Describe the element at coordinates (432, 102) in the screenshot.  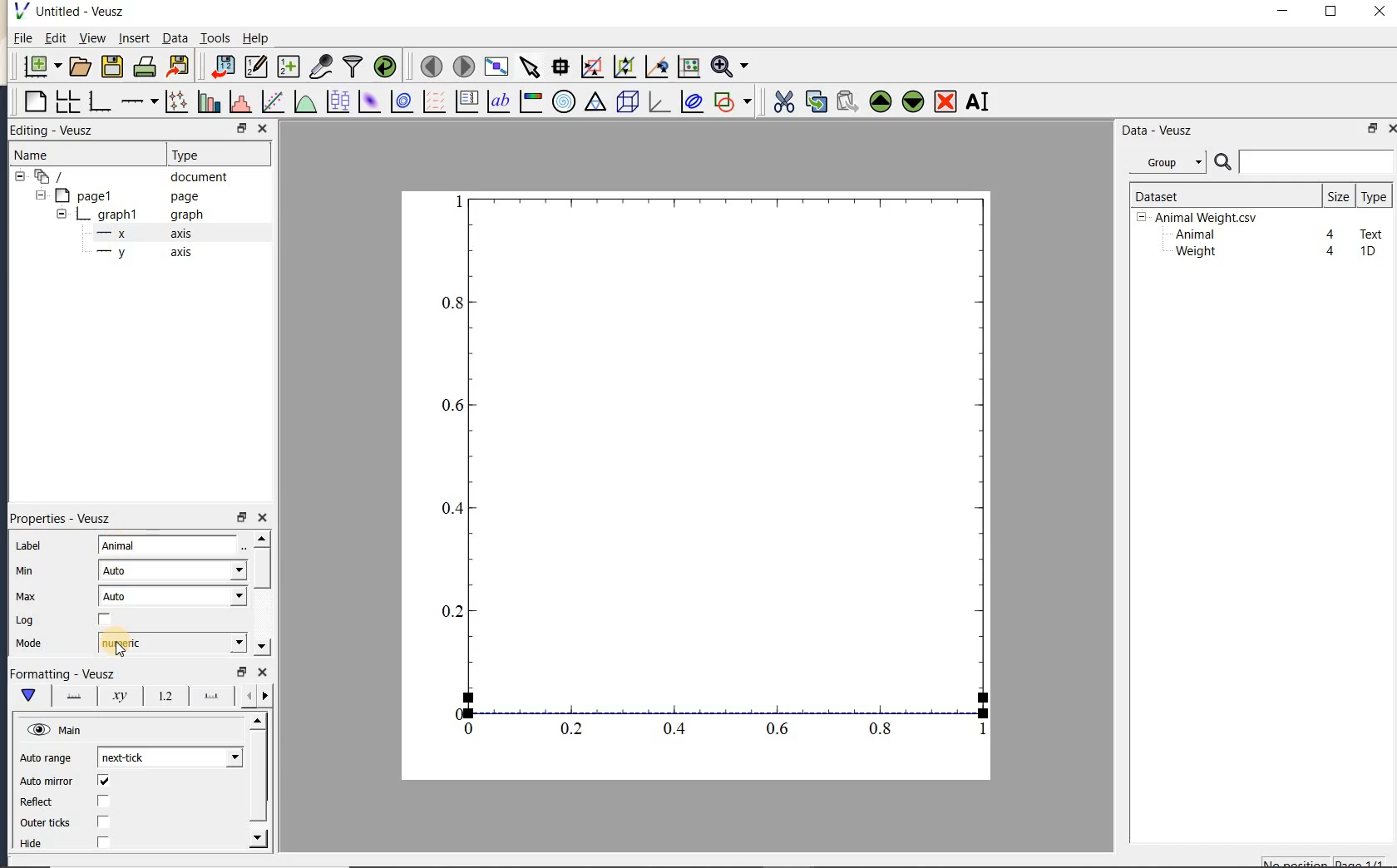
I see `plot a vector field` at that location.